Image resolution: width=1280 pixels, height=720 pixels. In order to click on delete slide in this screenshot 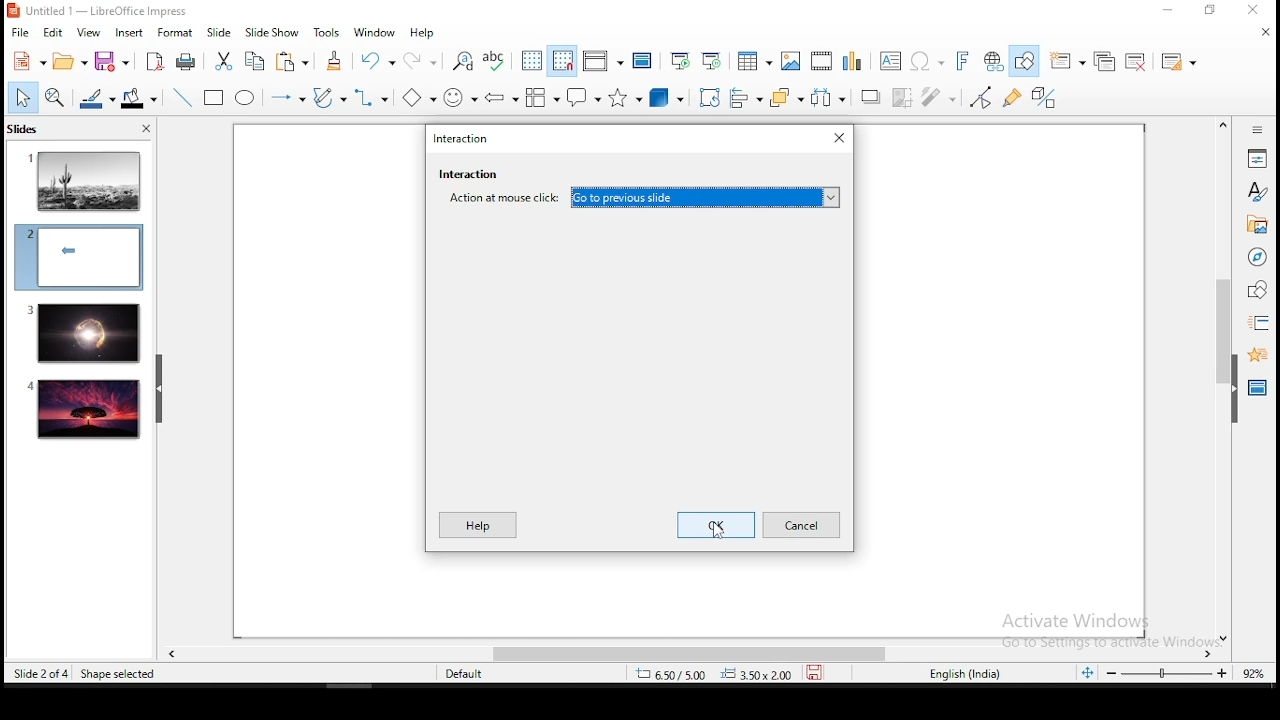, I will do `click(1137, 62)`.